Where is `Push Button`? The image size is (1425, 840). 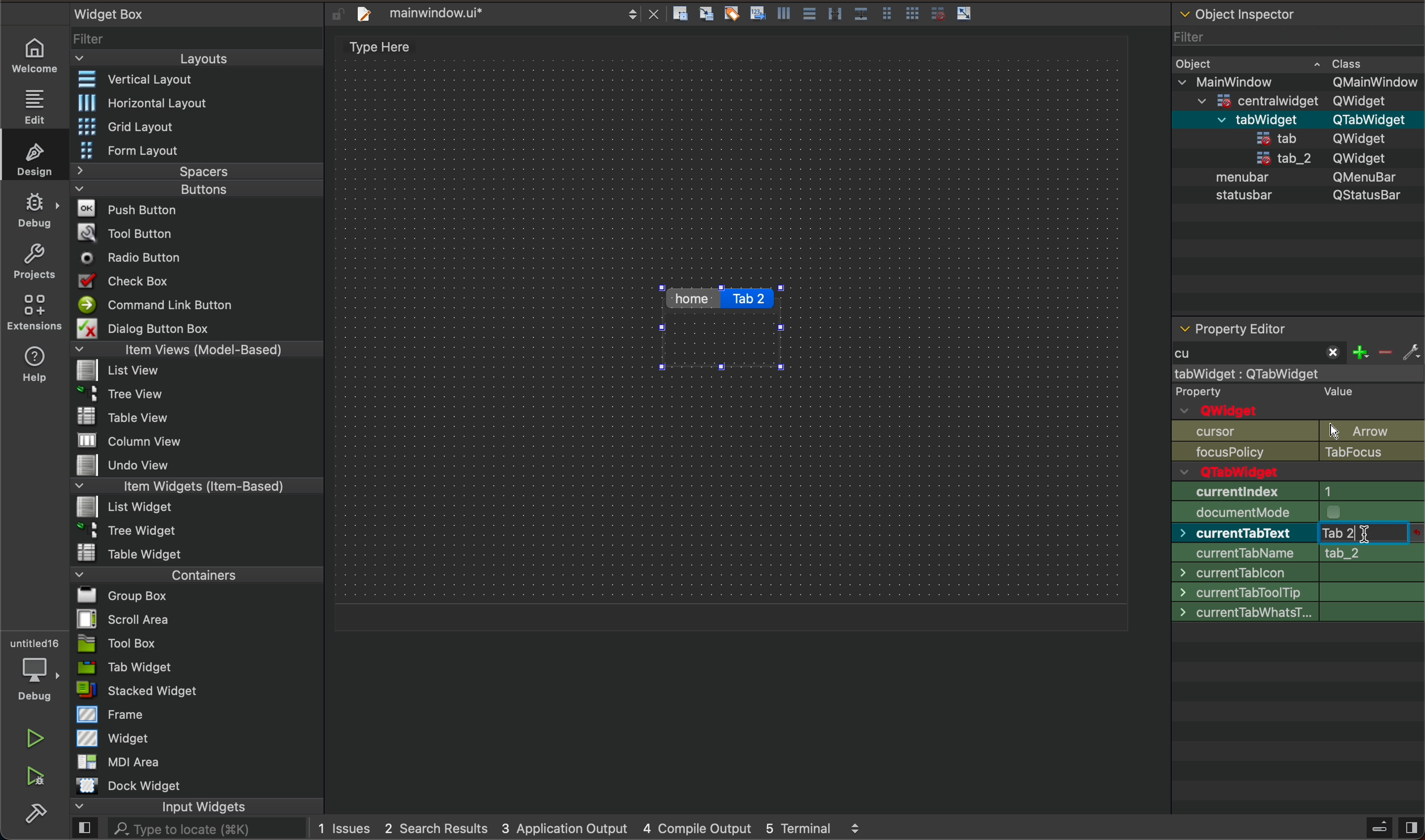
Push Button is located at coordinates (119, 209).